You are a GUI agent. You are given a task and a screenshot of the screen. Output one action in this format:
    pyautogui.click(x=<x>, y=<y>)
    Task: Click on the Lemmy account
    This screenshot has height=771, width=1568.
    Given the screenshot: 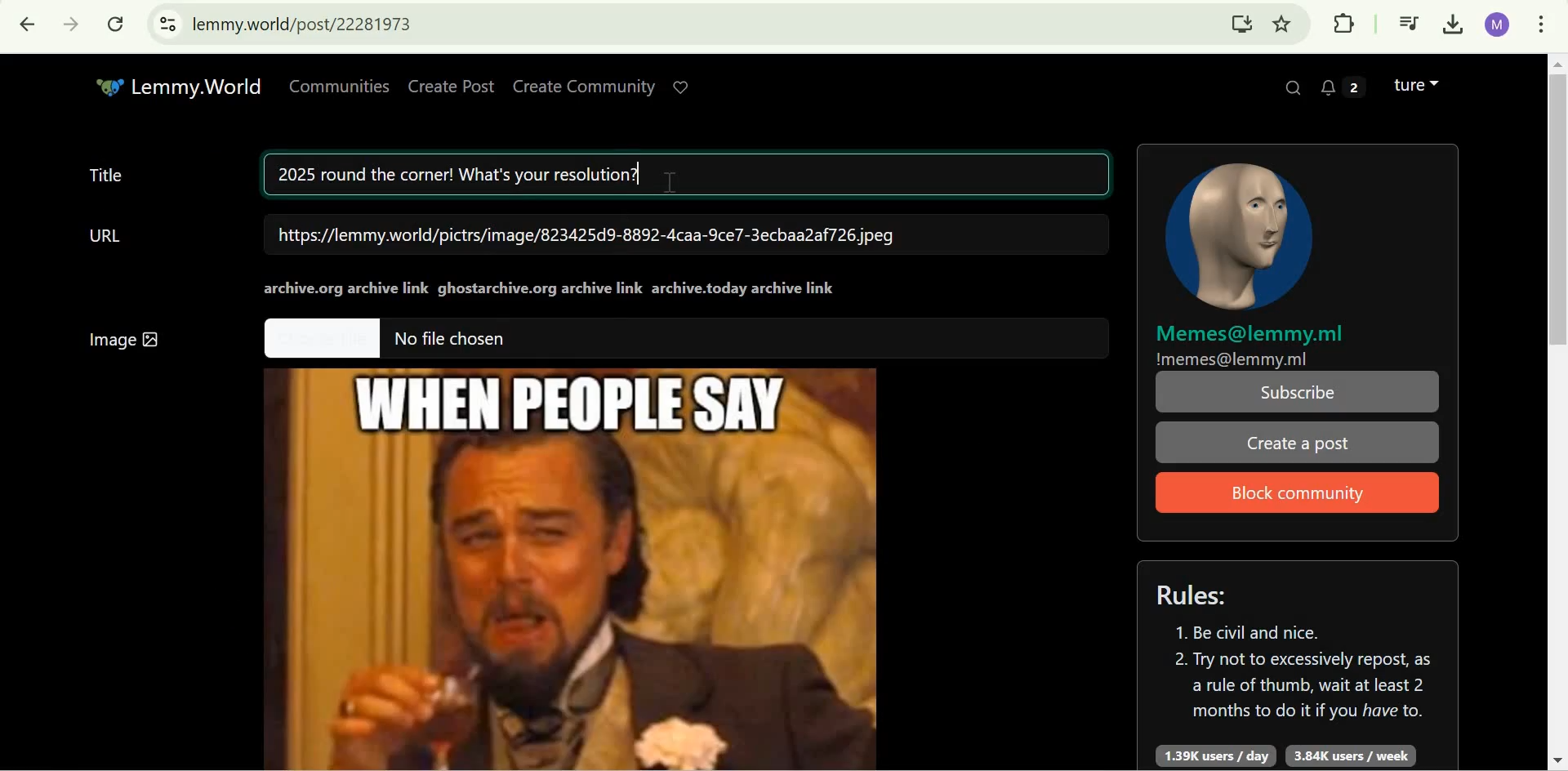 What is the action you would take?
    pyautogui.click(x=1416, y=85)
    